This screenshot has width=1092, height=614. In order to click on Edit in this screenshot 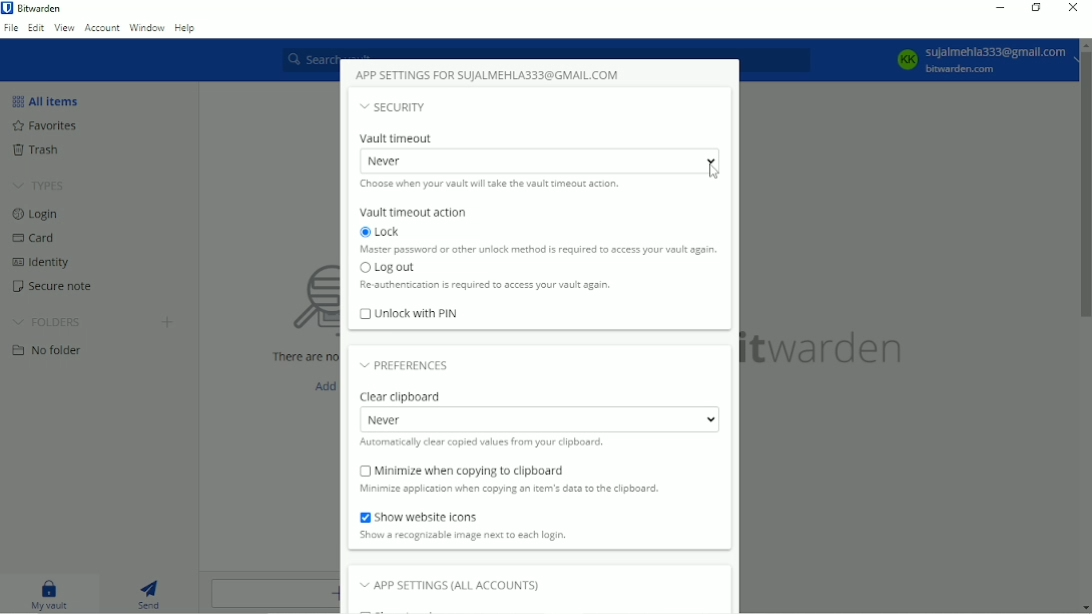, I will do `click(34, 29)`.